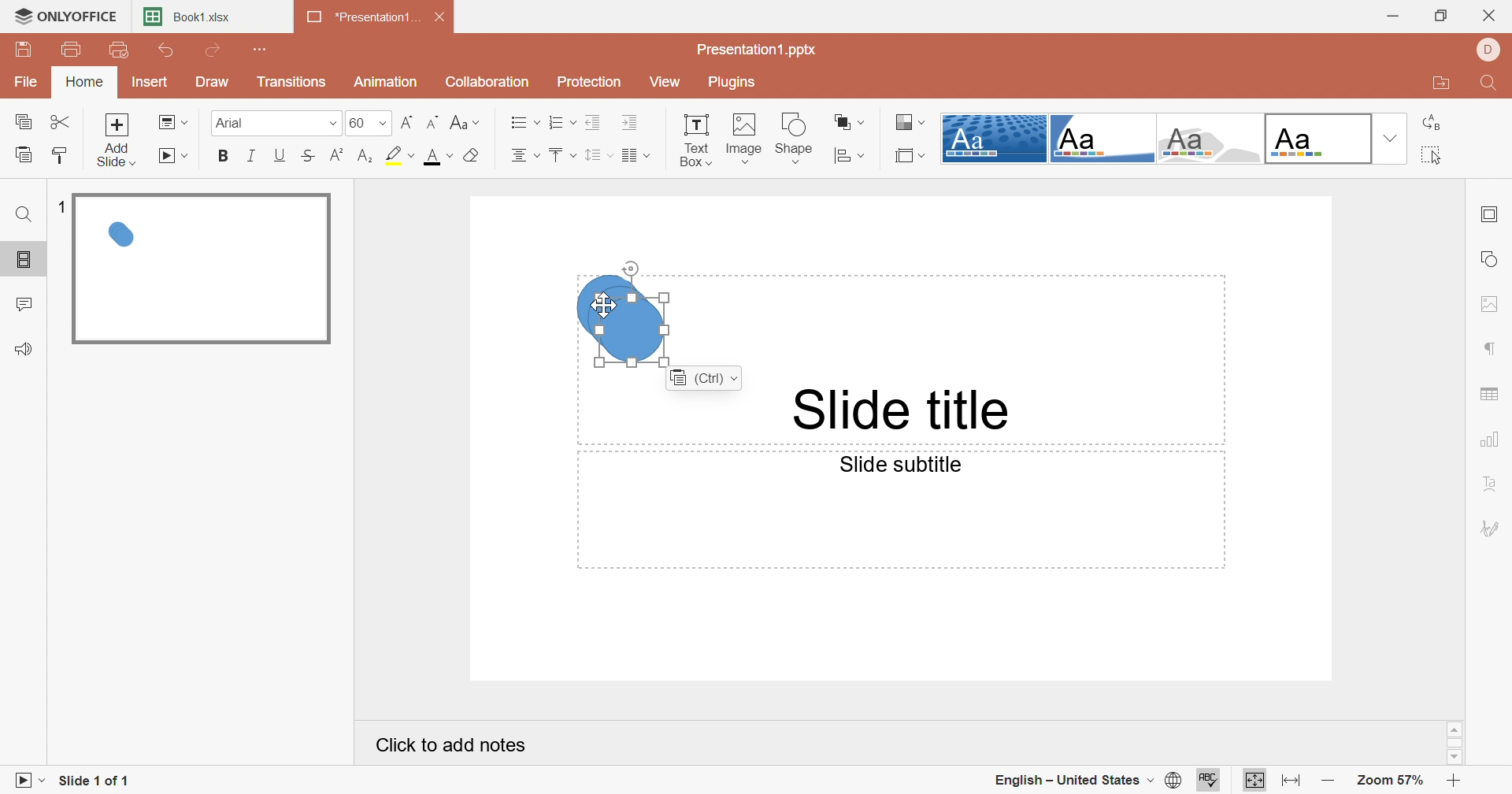 The height and width of the screenshot is (794, 1512). I want to click on Zoom 57%, so click(1390, 780).